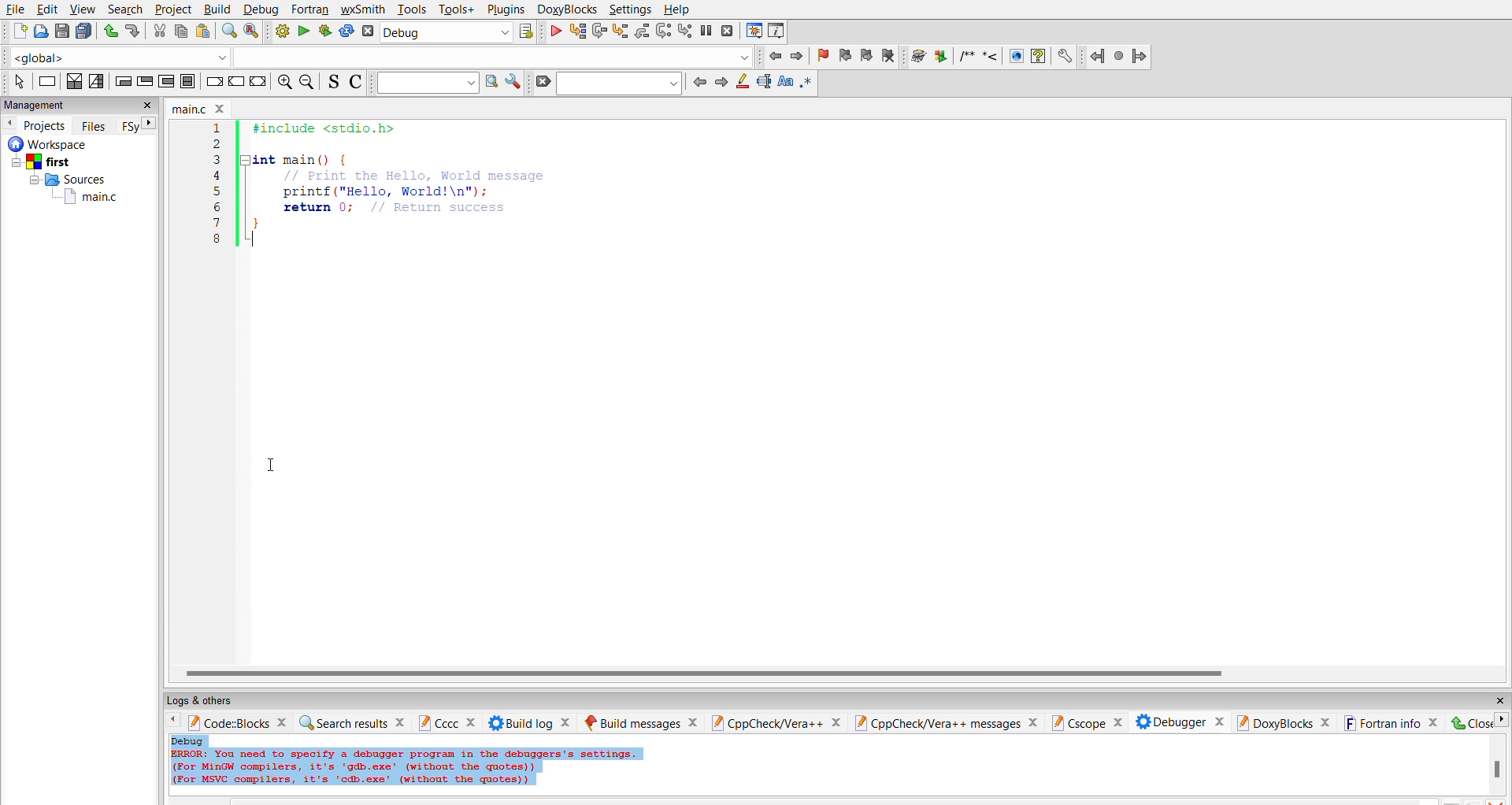 The height and width of the screenshot is (805, 1512). What do you see at coordinates (868, 56) in the screenshot?
I see `next bookmark` at bounding box center [868, 56].